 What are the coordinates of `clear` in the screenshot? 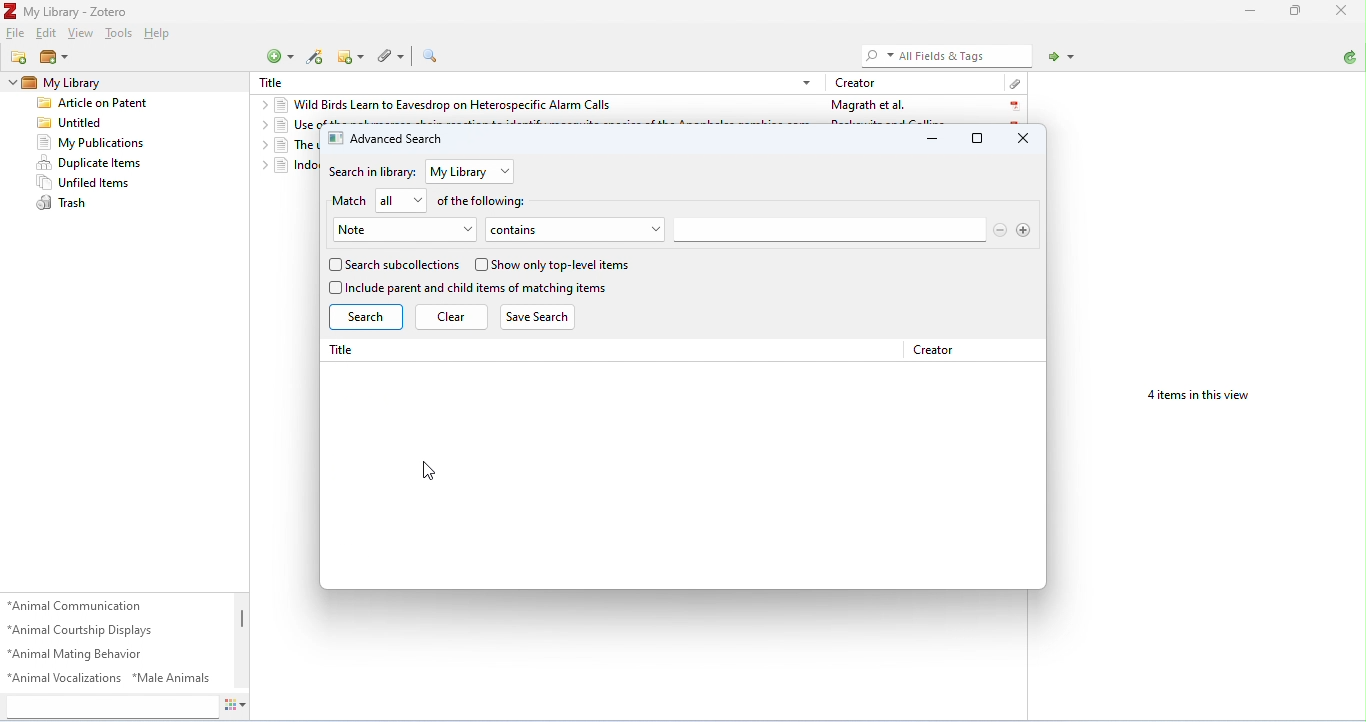 It's located at (452, 316).